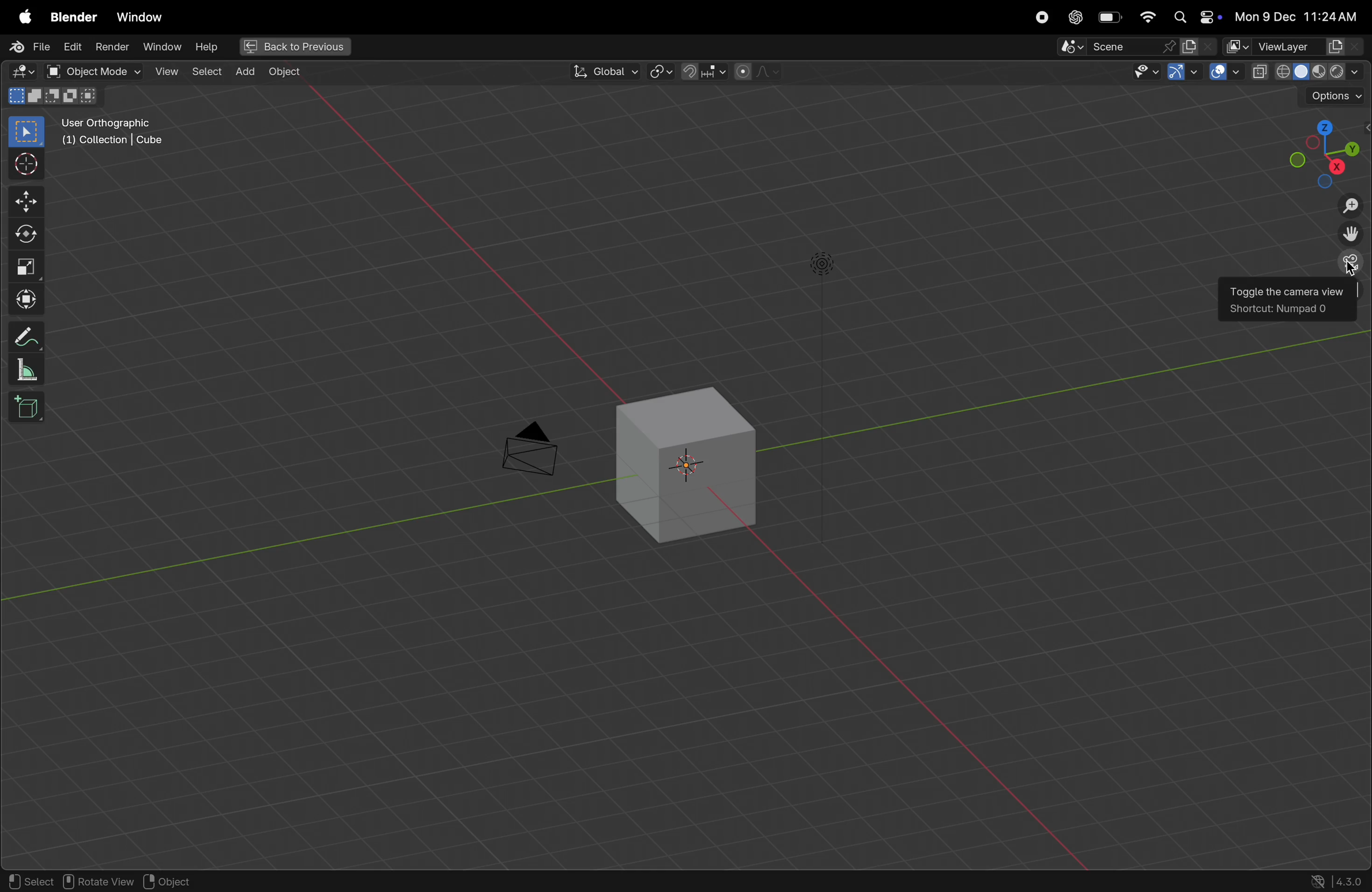 The height and width of the screenshot is (892, 1372). What do you see at coordinates (1351, 235) in the screenshot?
I see `move the view` at bounding box center [1351, 235].